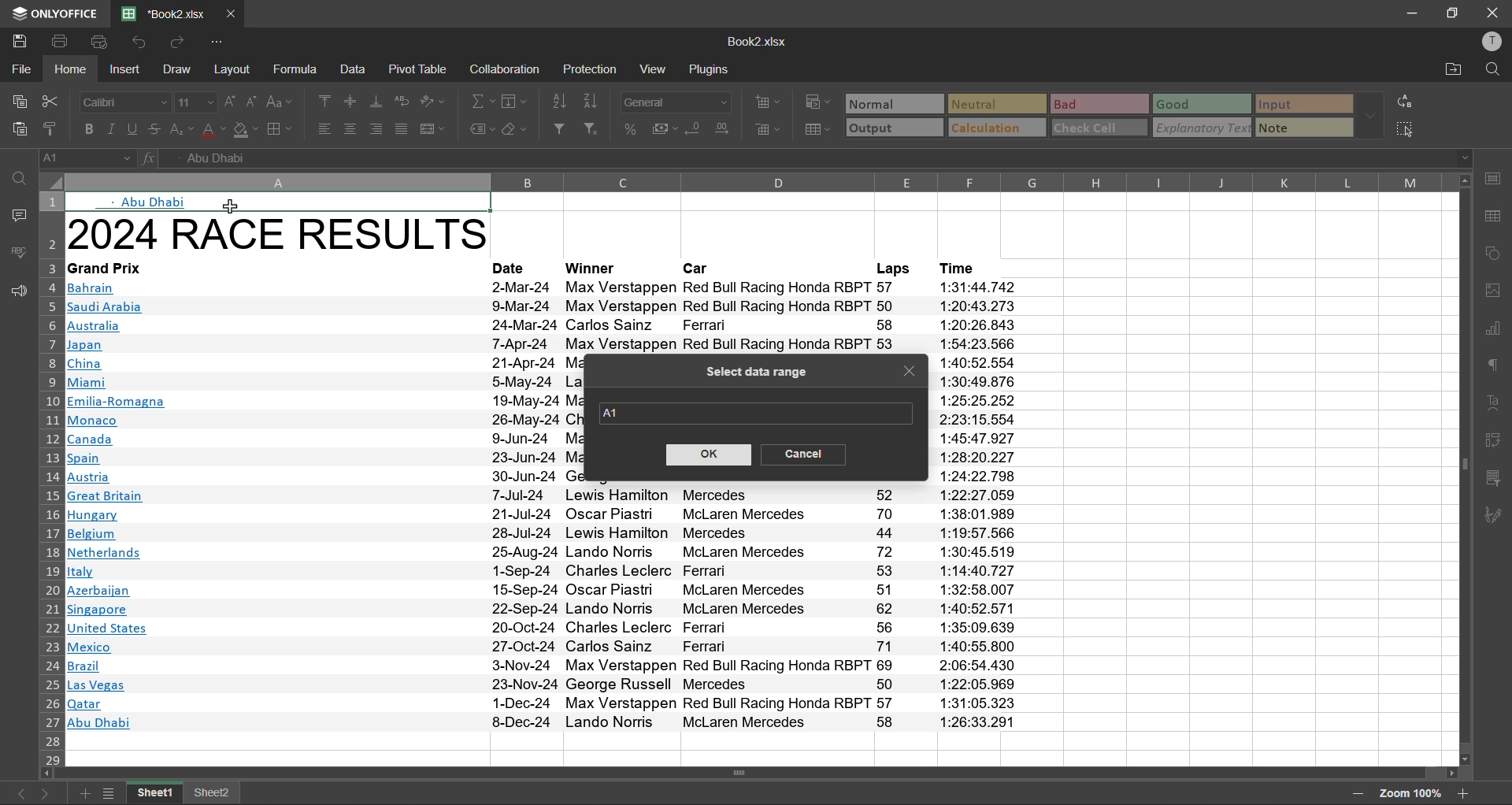 The width and height of the screenshot is (1512, 805). Describe the element at coordinates (728, 129) in the screenshot. I see `increase decimal` at that location.